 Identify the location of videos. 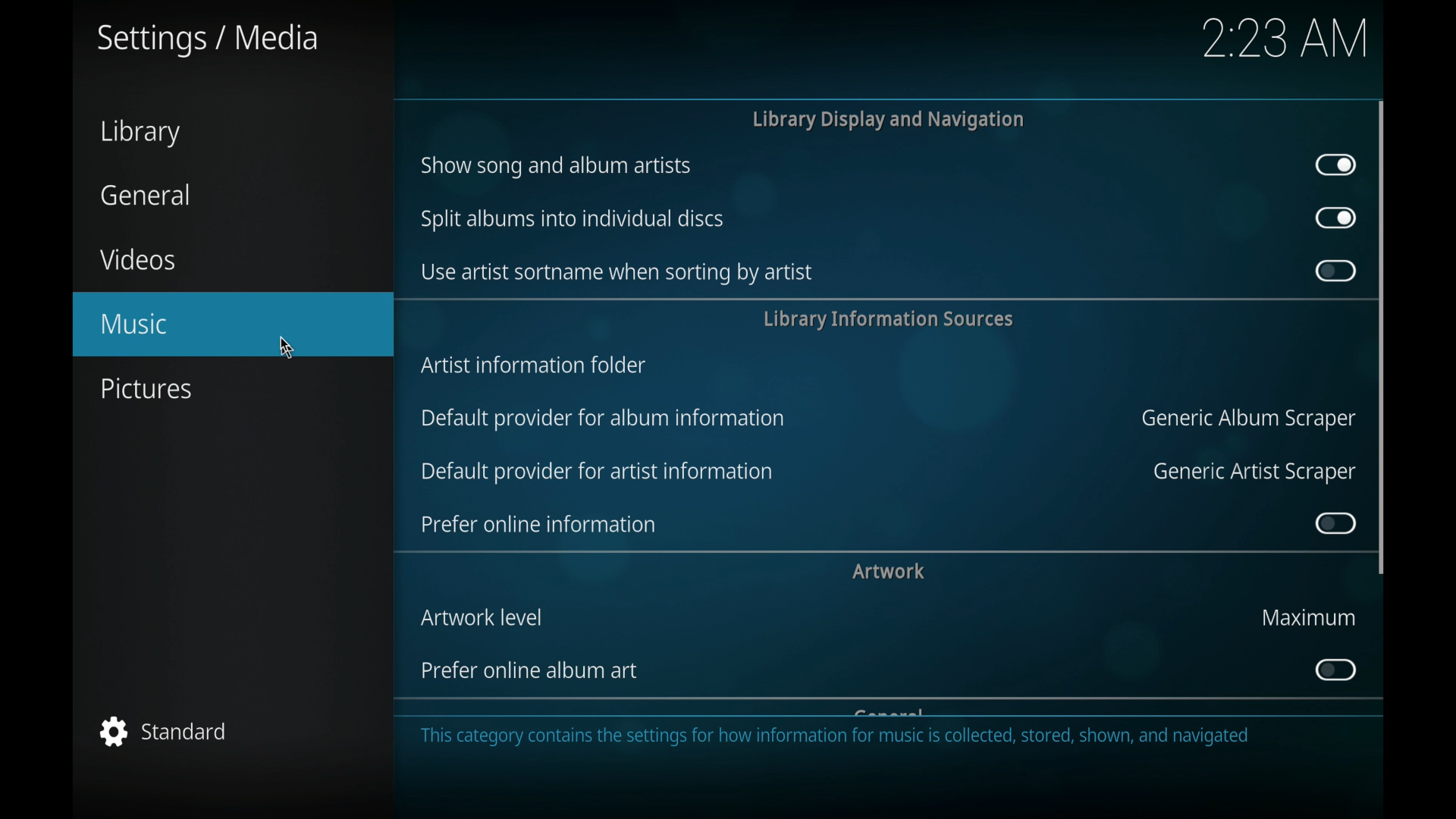
(140, 259).